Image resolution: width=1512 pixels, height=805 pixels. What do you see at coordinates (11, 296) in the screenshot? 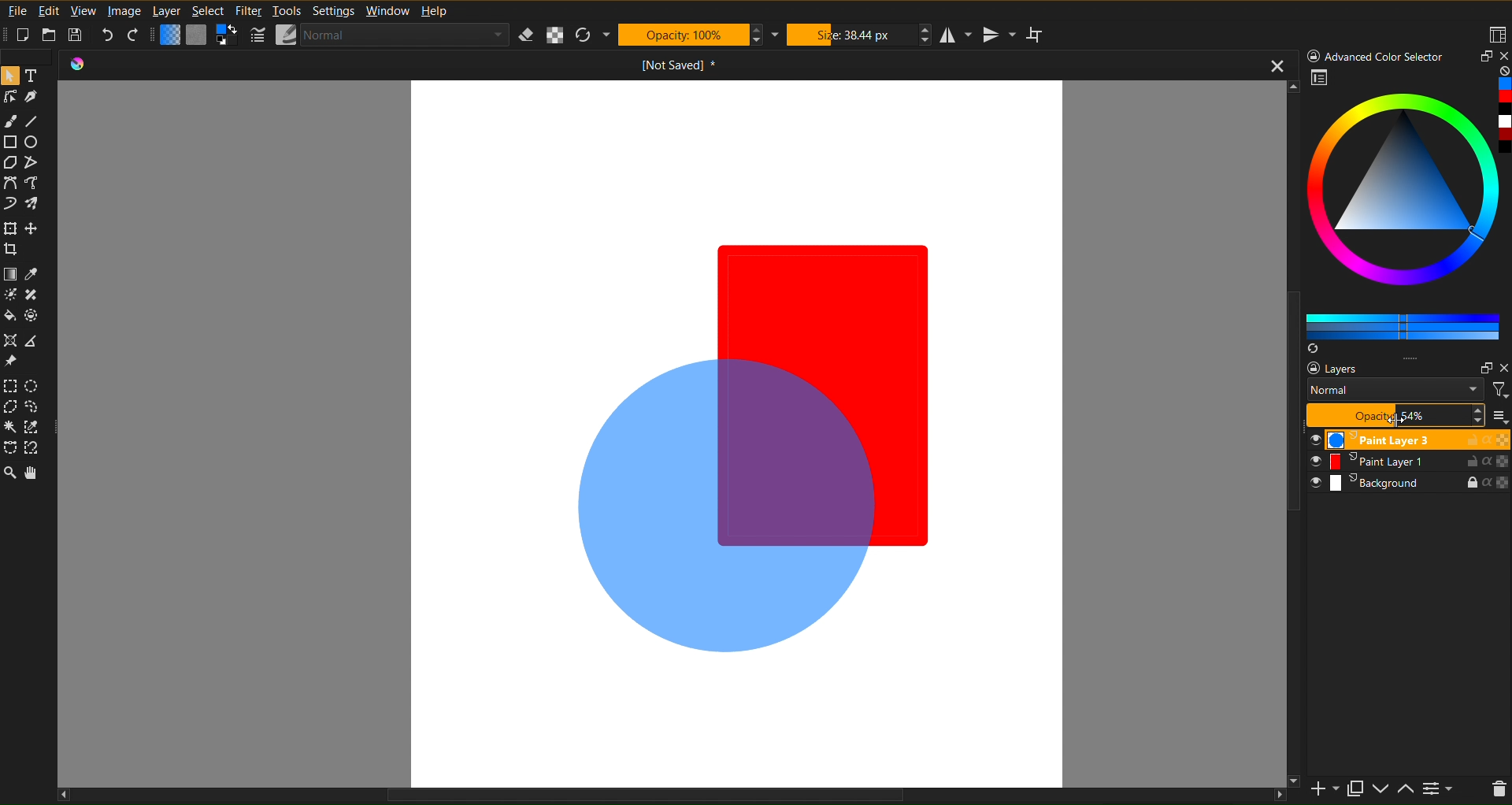
I see `Color Tool` at bounding box center [11, 296].